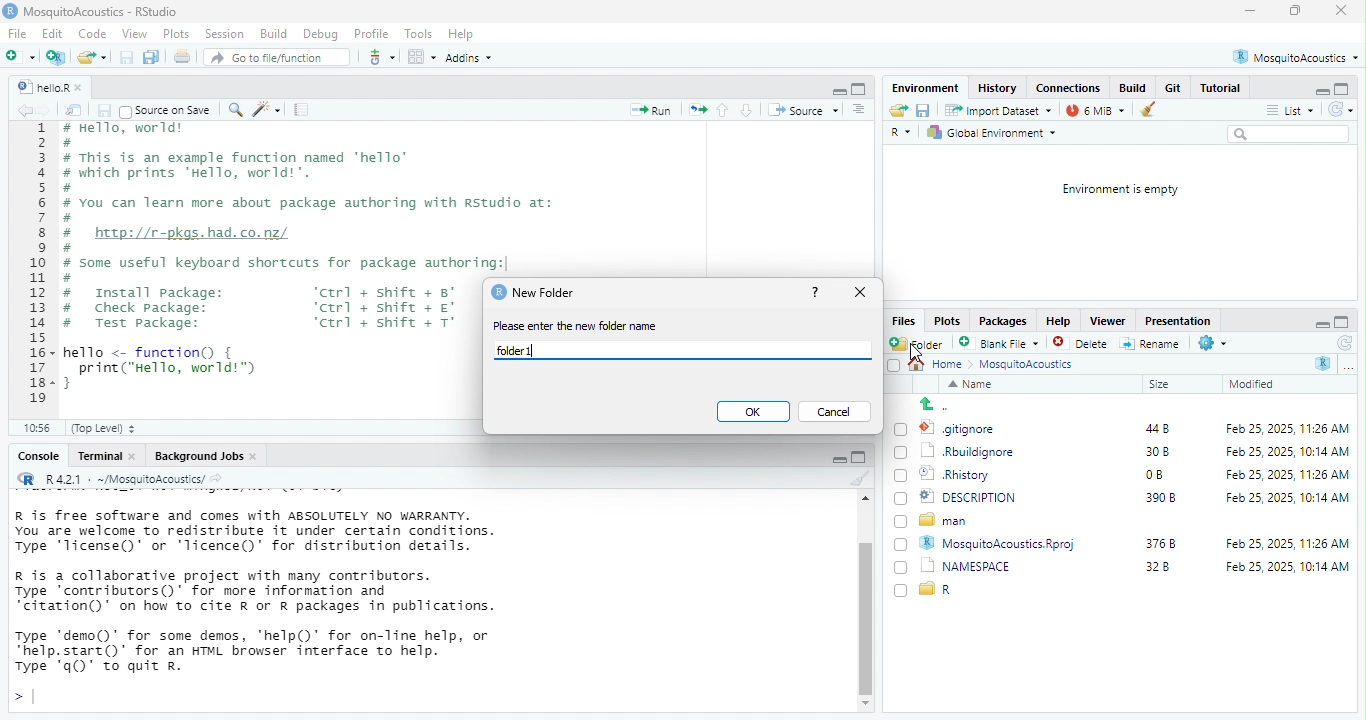 Image resolution: width=1366 pixels, height=720 pixels. What do you see at coordinates (653, 112) in the screenshot?
I see ` Run` at bounding box center [653, 112].